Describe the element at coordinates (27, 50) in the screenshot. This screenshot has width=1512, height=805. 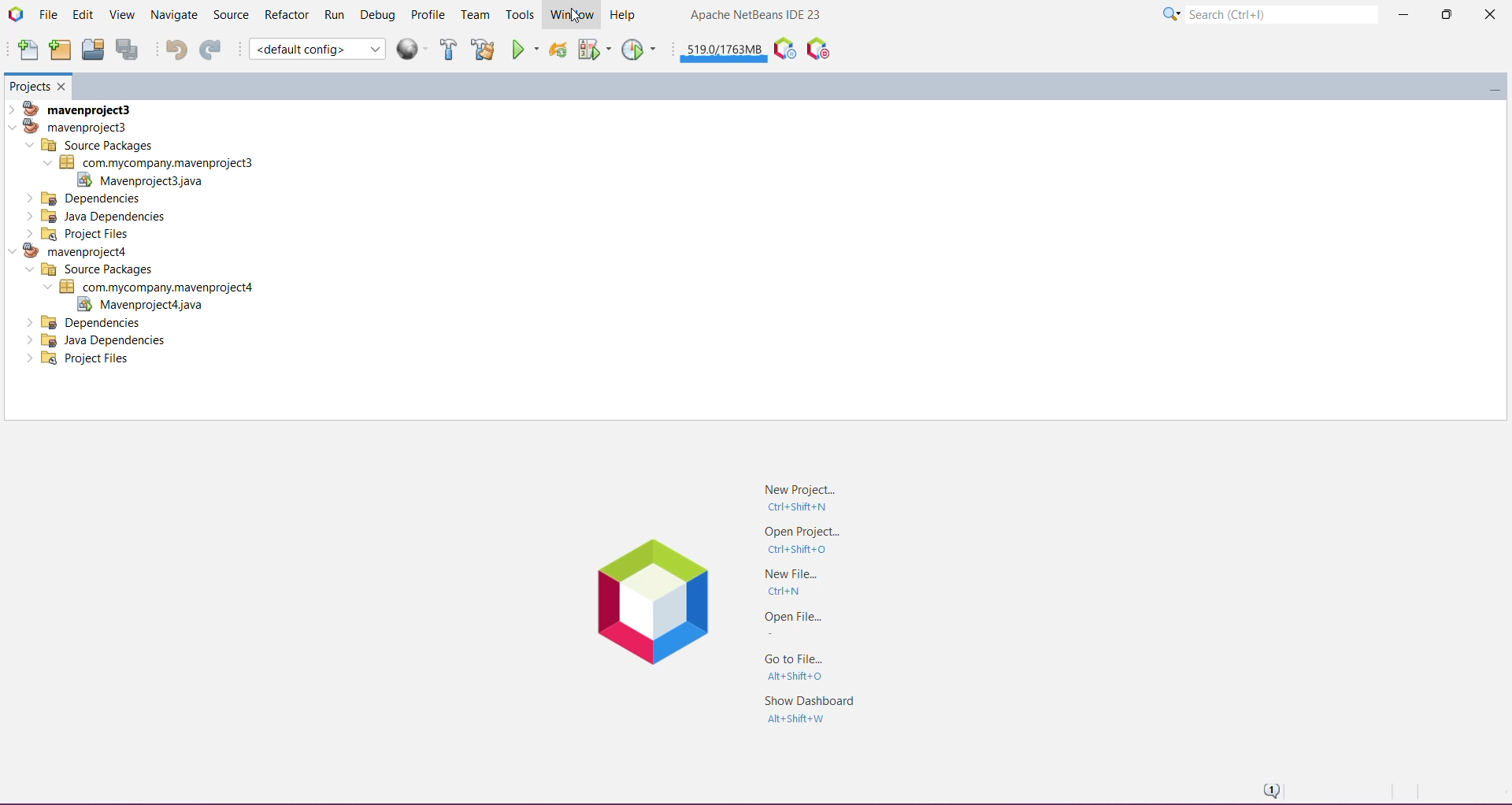
I see `New File` at that location.